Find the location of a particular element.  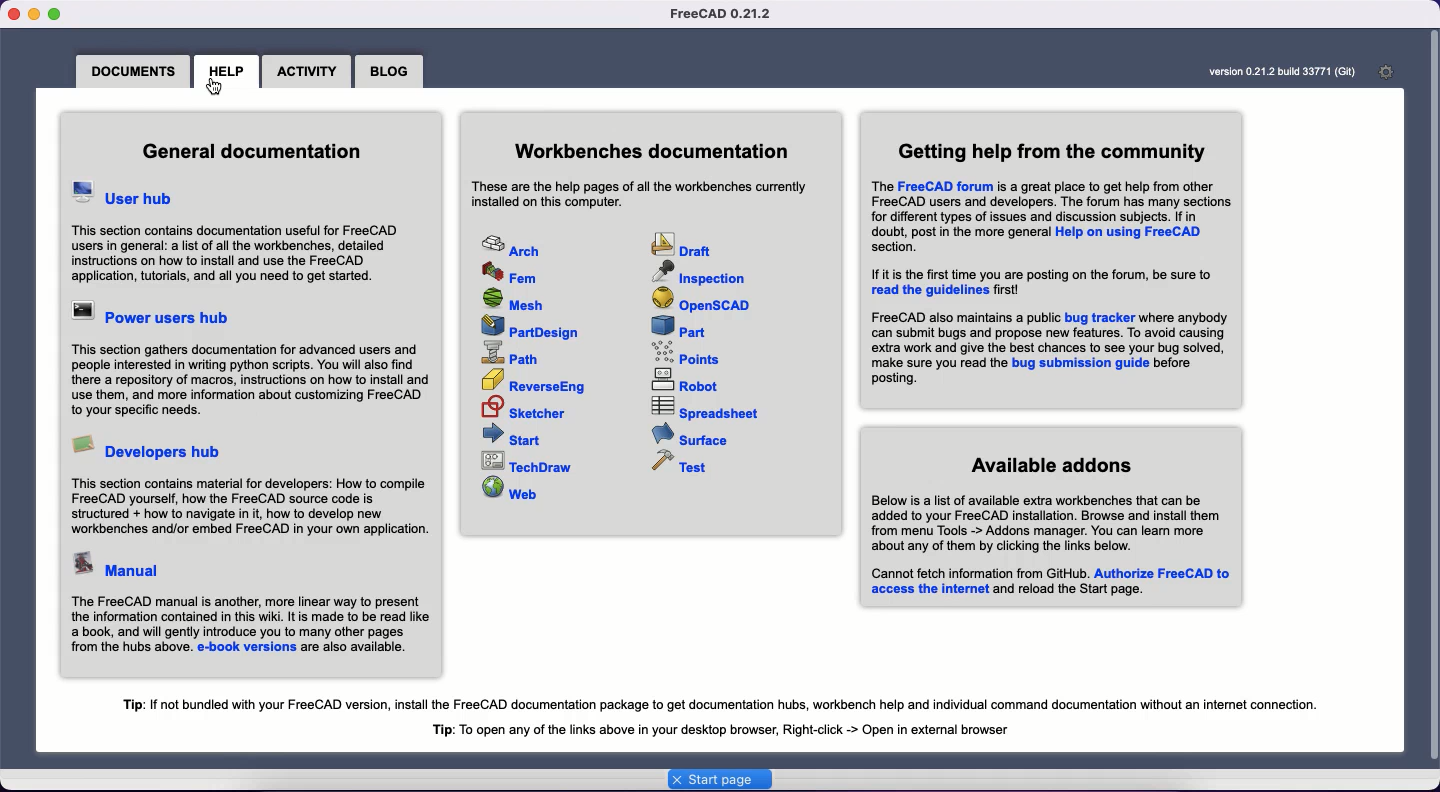

Workbenches documentation text is located at coordinates (642, 195).